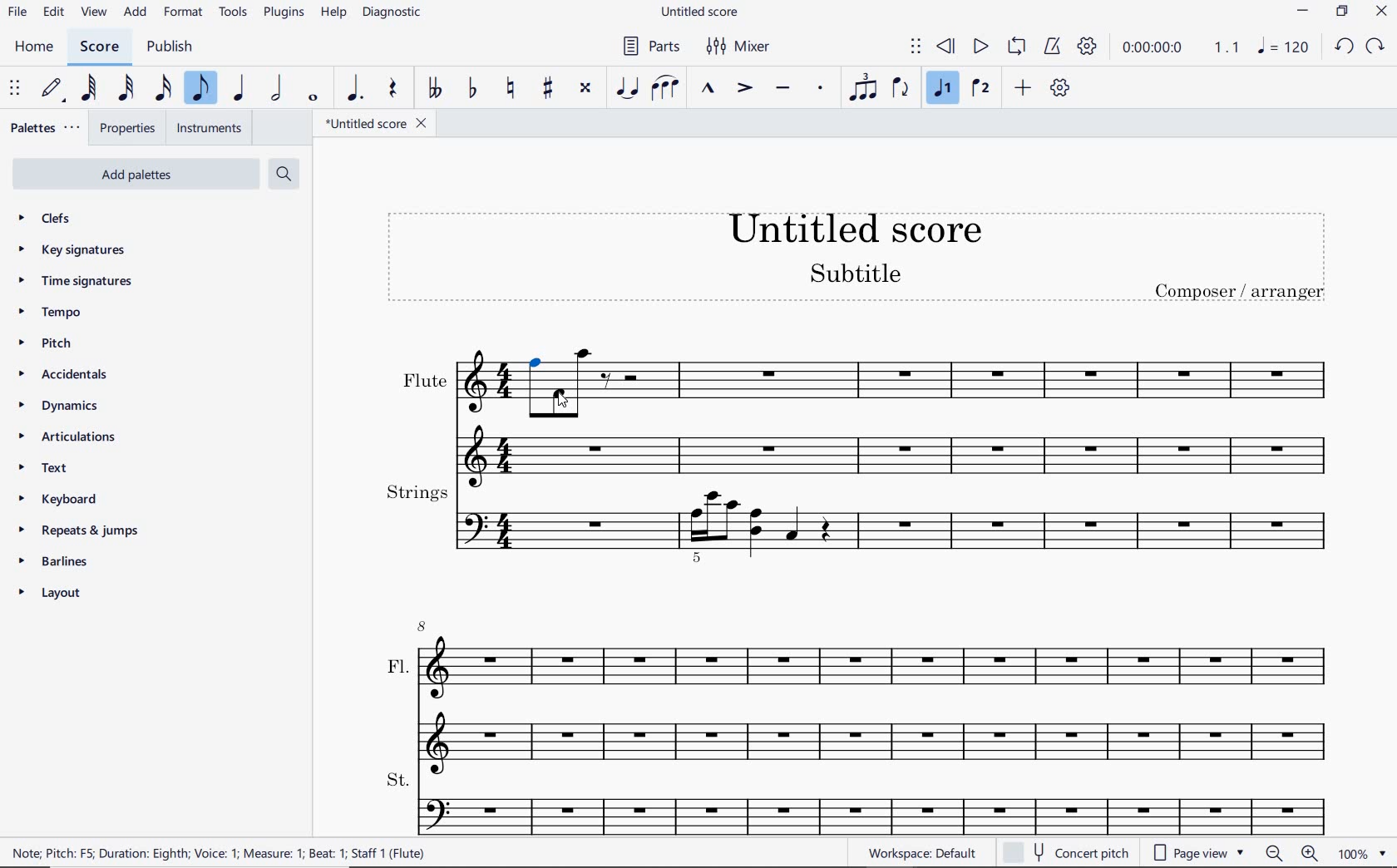  I want to click on PLAY TIME, so click(1179, 47).